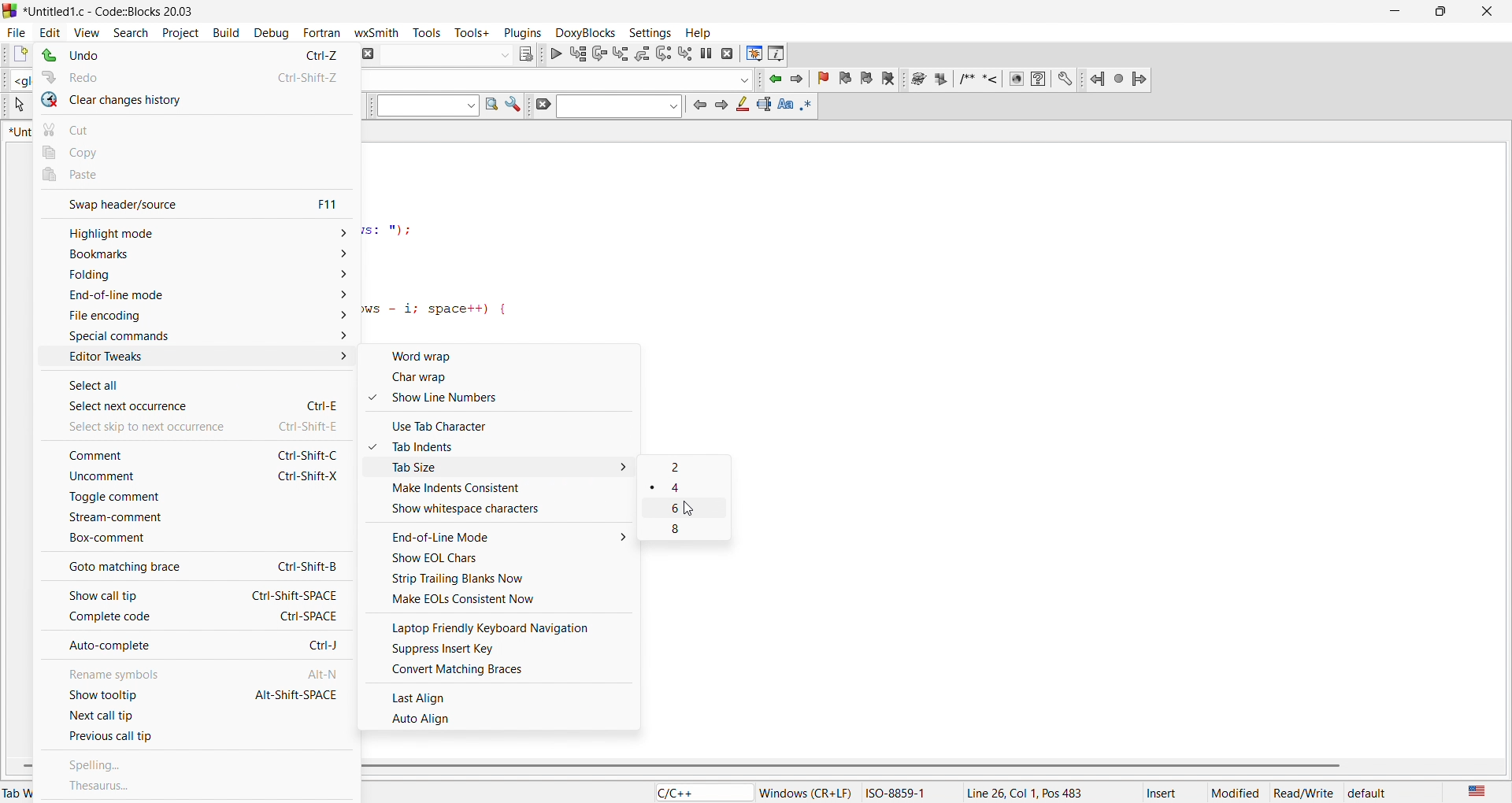 The height and width of the screenshot is (803, 1512). Describe the element at coordinates (191, 337) in the screenshot. I see `special commands ` at that location.